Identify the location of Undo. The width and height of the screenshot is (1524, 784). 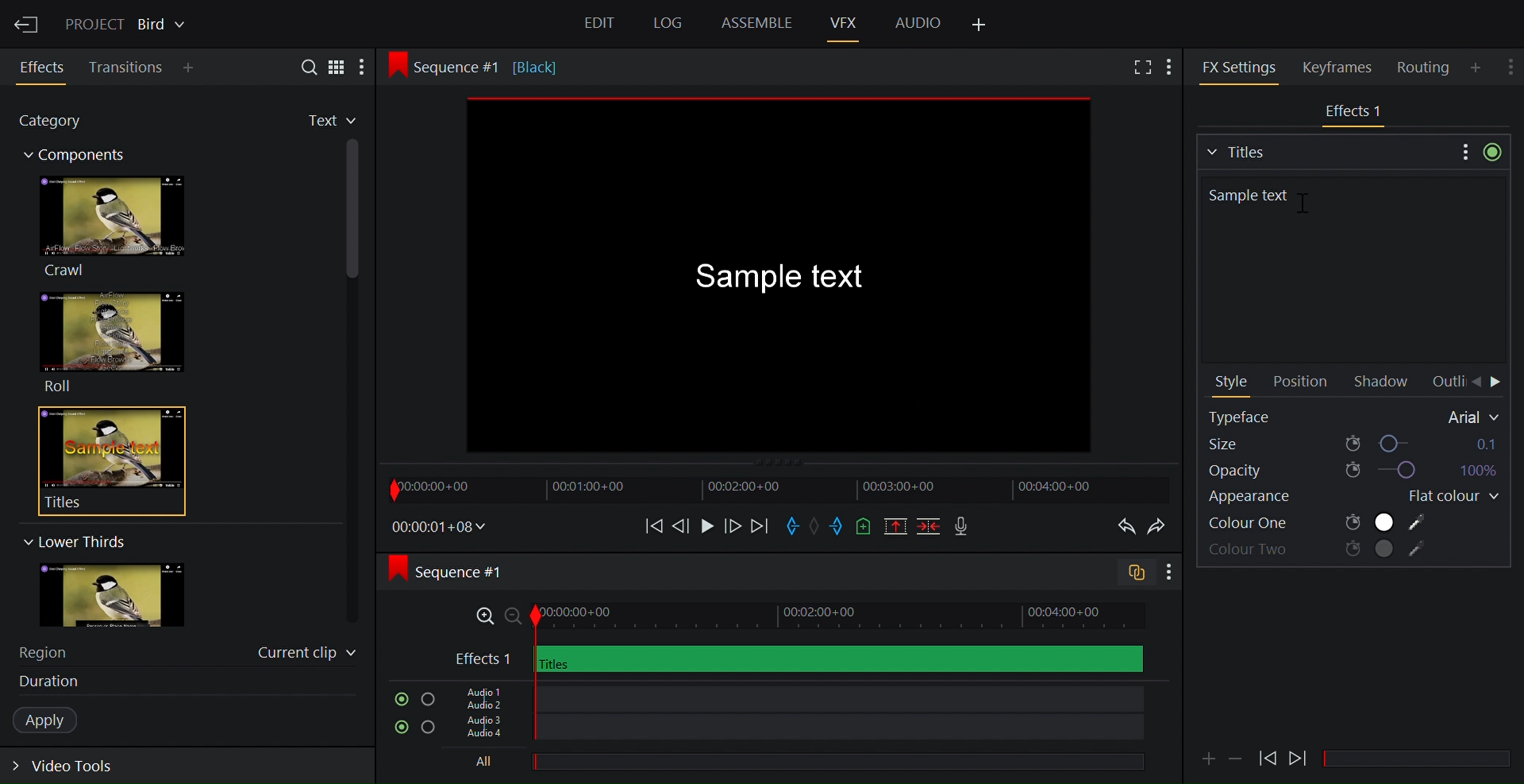
(1122, 527).